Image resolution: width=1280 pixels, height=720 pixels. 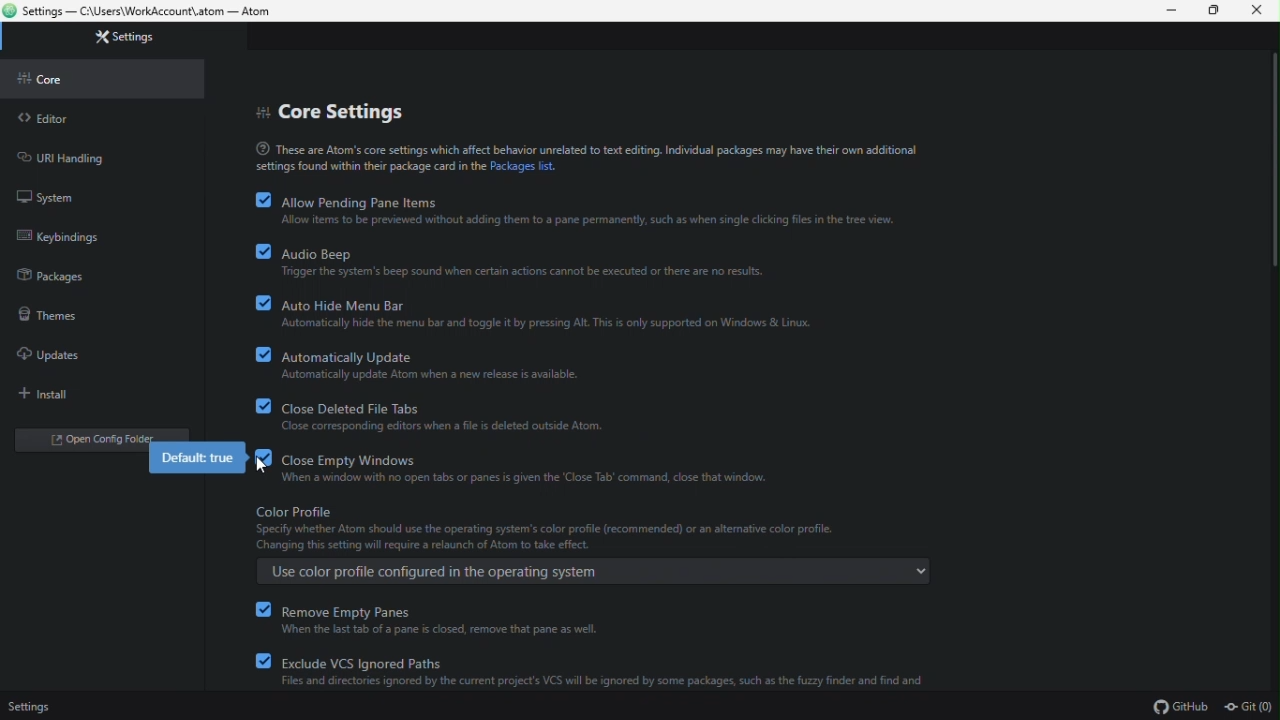 I want to click on checkbox, so click(x=257, y=352).